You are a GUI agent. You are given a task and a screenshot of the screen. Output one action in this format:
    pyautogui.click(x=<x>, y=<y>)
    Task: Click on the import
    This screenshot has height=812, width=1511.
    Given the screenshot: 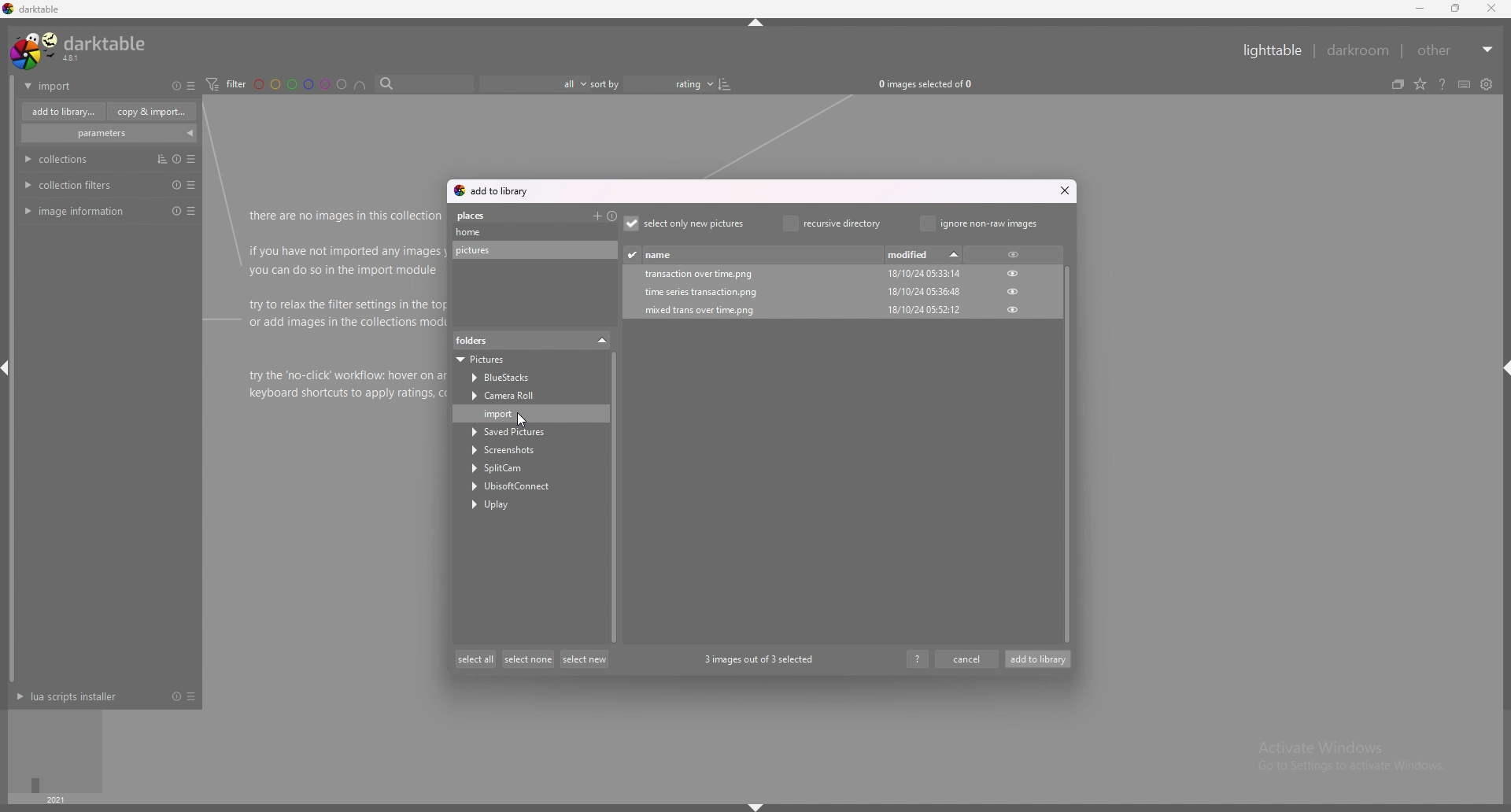 What is the action you would take?
    pyautogui.click(x=527, y=414)
    